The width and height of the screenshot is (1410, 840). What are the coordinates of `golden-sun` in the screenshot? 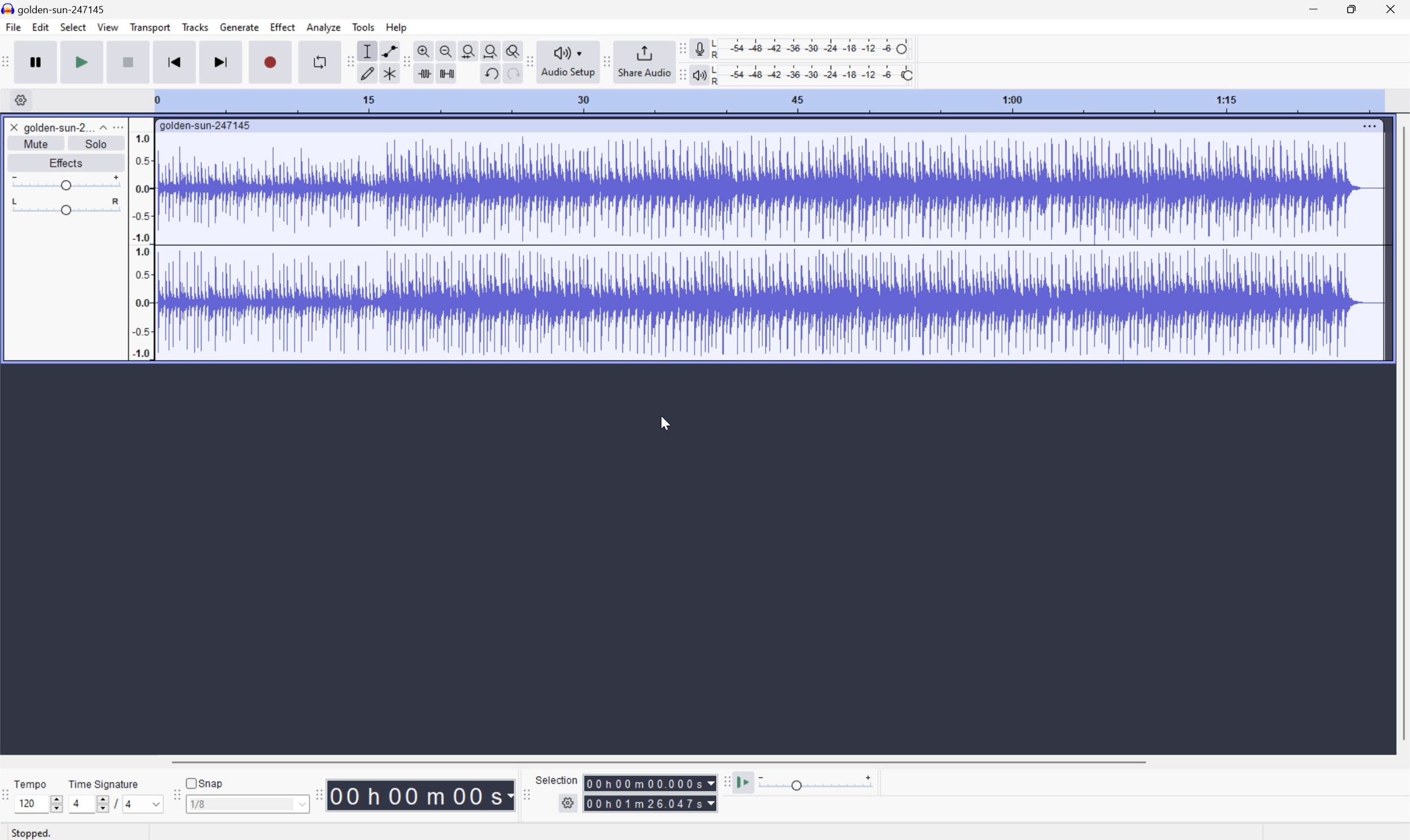 It's located at (47, 127).